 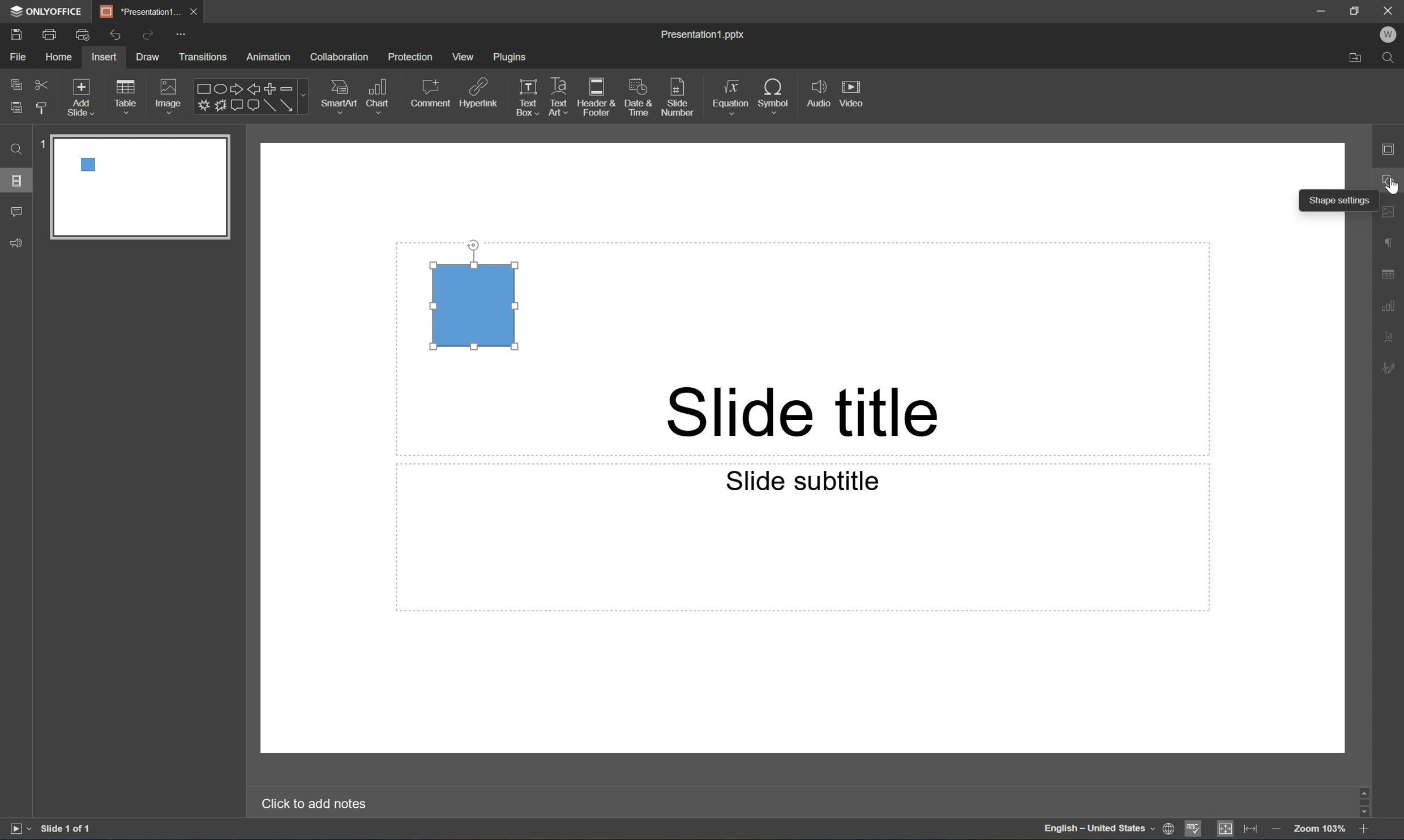 What do you see at coordinates (126, 96) in the screenshot?
I see `Table` at bounding box center [126, 96].